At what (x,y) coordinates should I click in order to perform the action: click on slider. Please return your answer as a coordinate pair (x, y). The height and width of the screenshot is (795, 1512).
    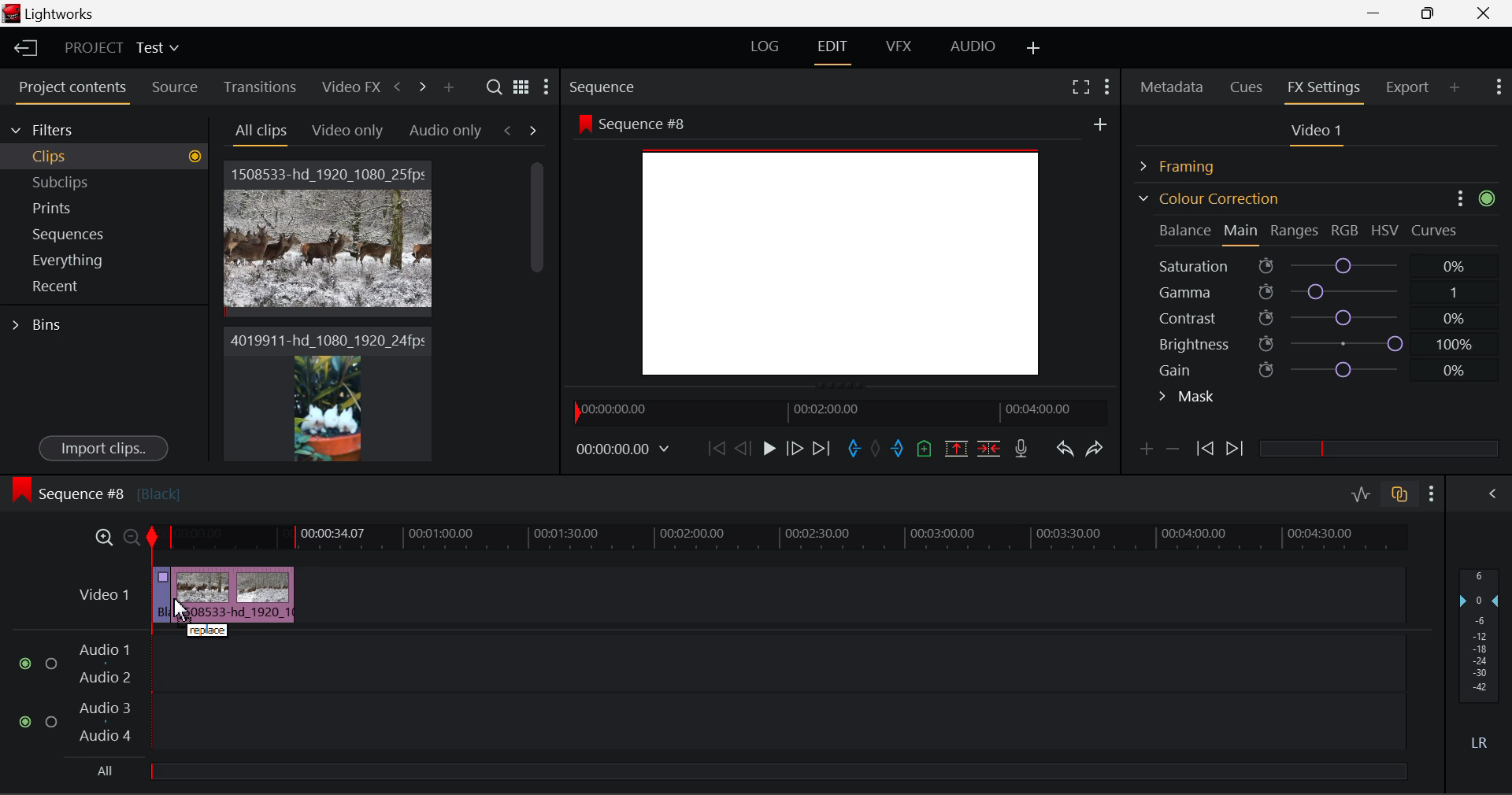
    Looking at the image, I should click on (1378, 448).